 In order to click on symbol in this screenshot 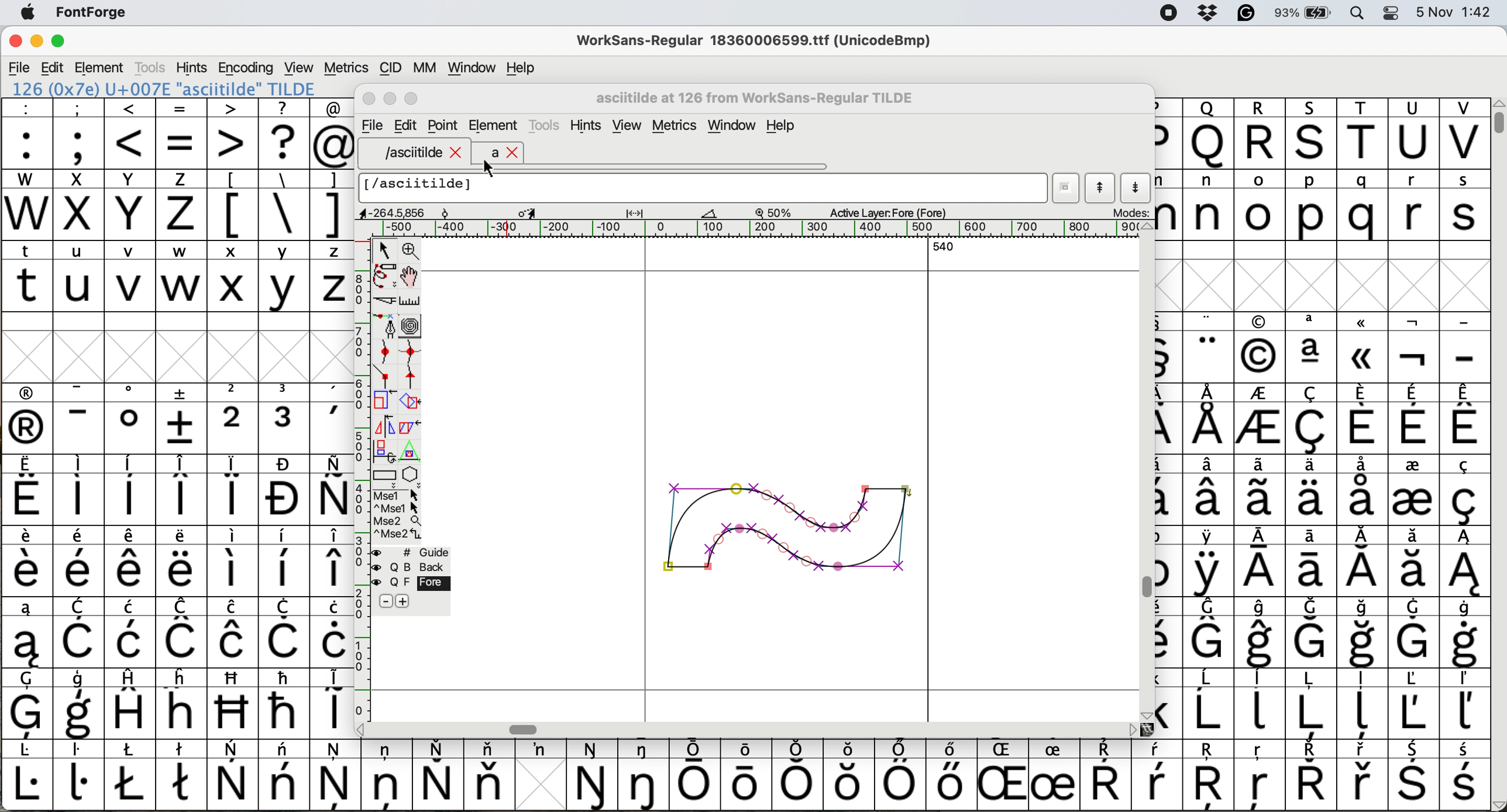, I will do `click(949, 774)`.